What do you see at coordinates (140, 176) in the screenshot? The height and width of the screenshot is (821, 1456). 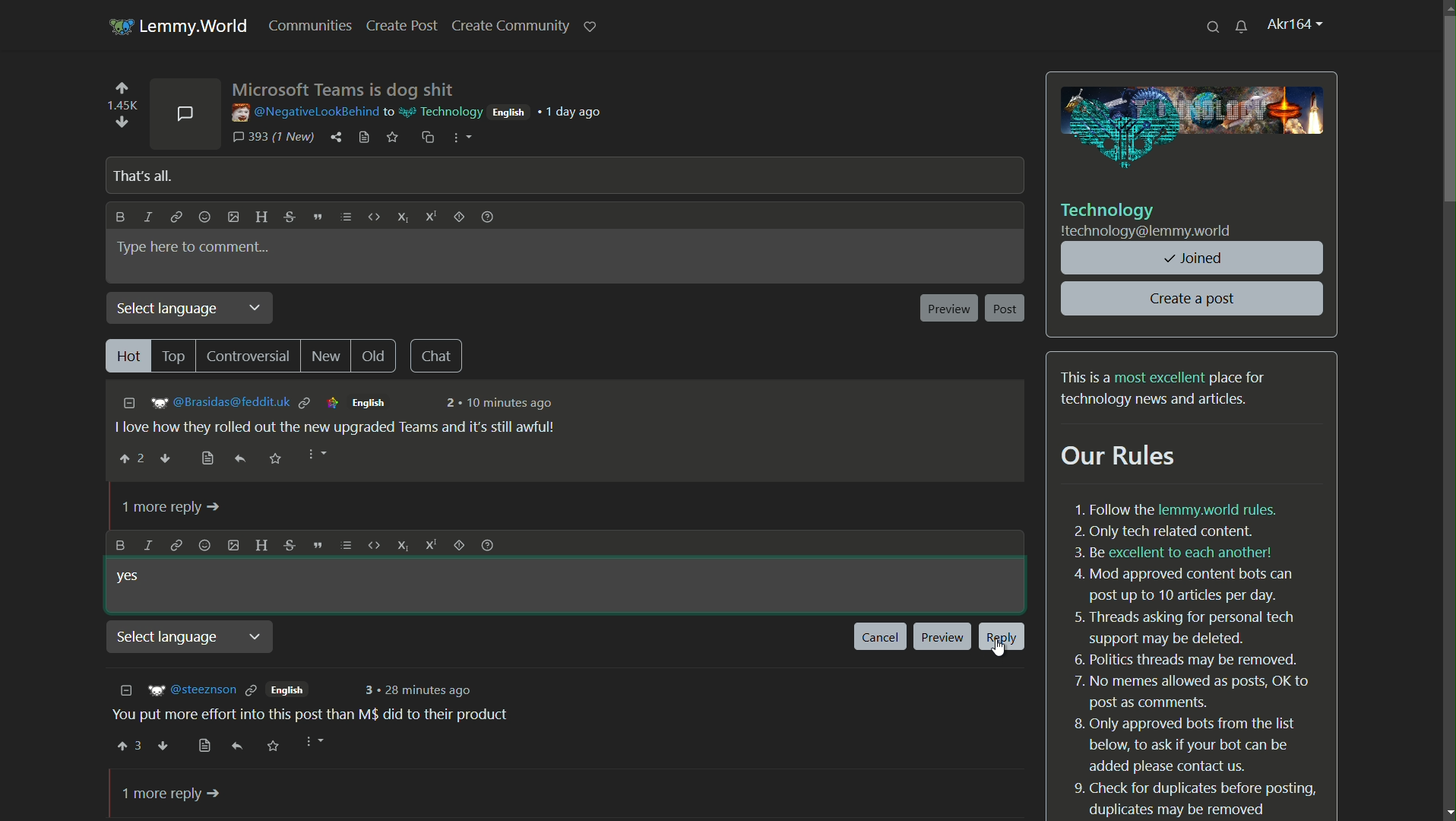 I see `that's all` at bounding box center [140, 176].